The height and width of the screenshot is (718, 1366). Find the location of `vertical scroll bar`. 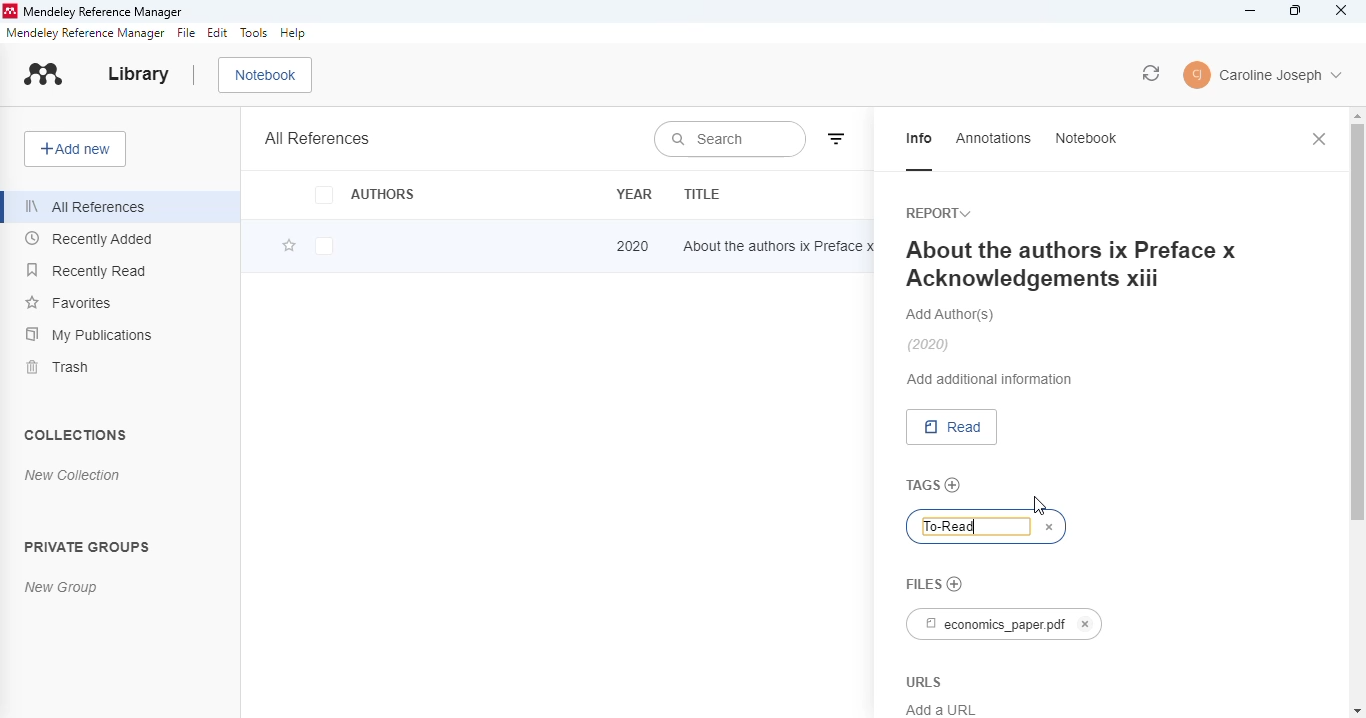

vertical scroll bar is located at coordinates (1356, 329).